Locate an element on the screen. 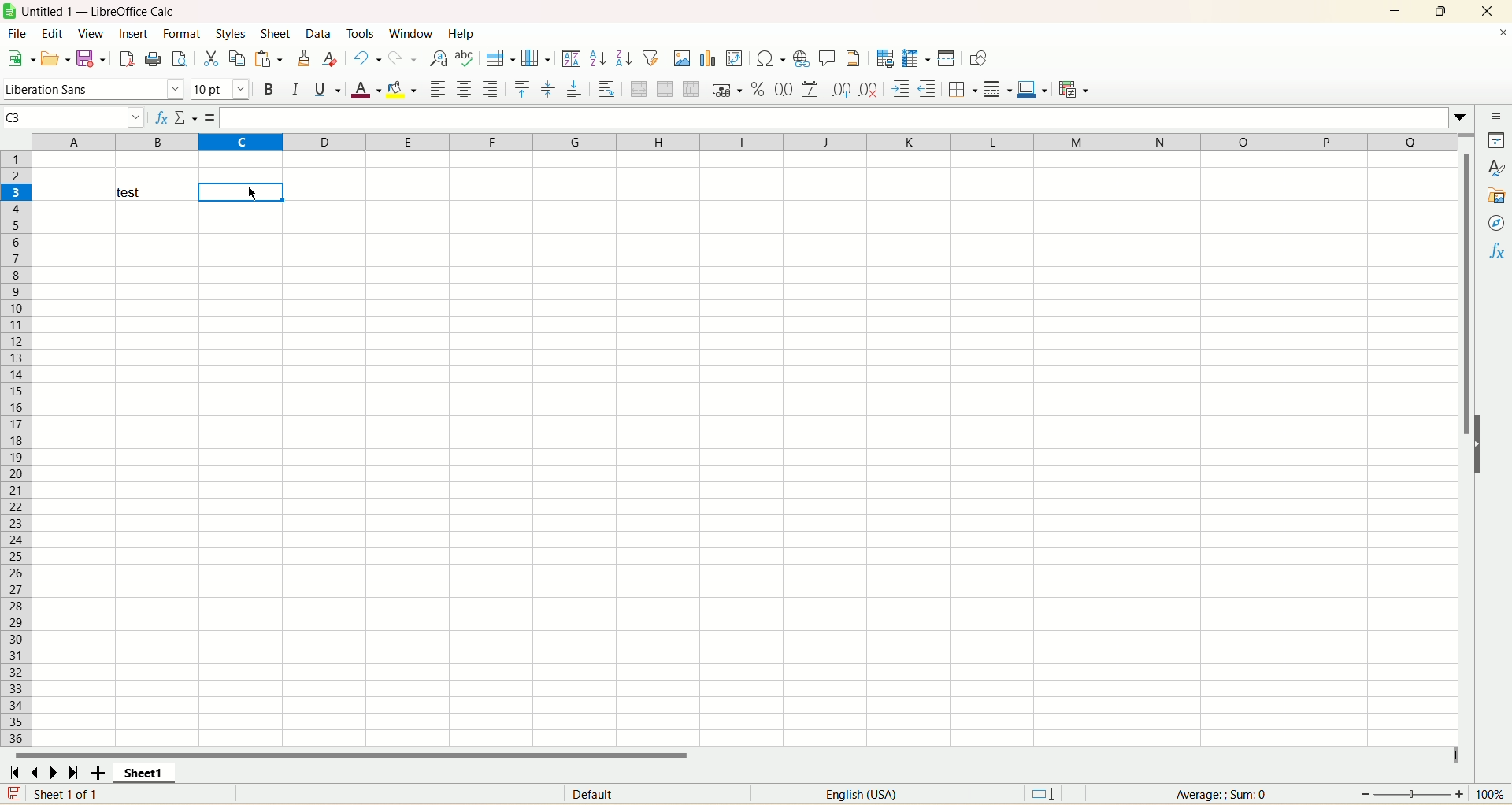 The width and height of the screenshot is (1512, 805). font size is located at coordinates (220, 90).